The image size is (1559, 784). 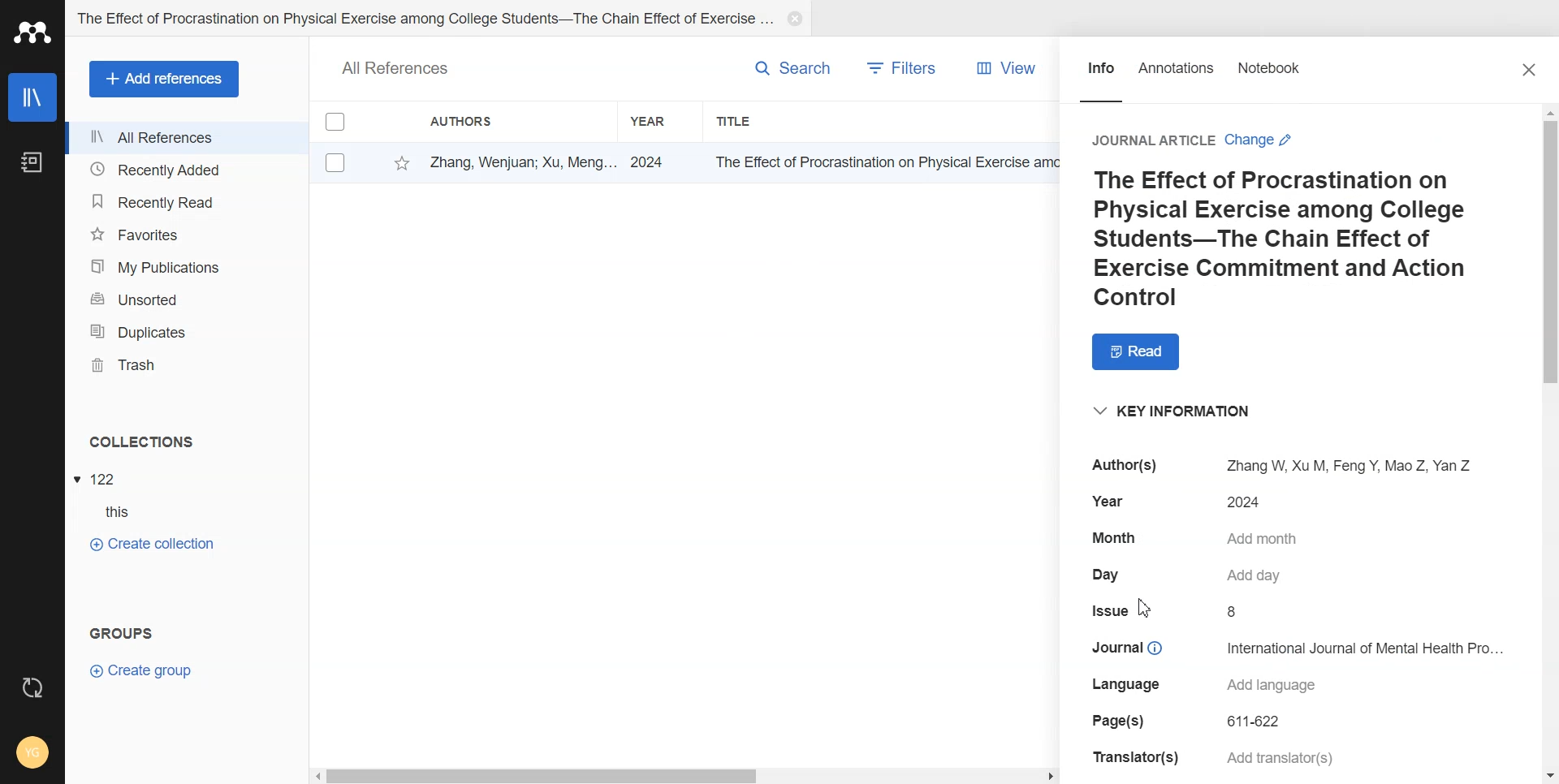 What do you see at coordinates (520, 160) in the screenshot?
I see `Zhang, Wenjuan; Xu, Meng..` at bounding box center [520, 160].